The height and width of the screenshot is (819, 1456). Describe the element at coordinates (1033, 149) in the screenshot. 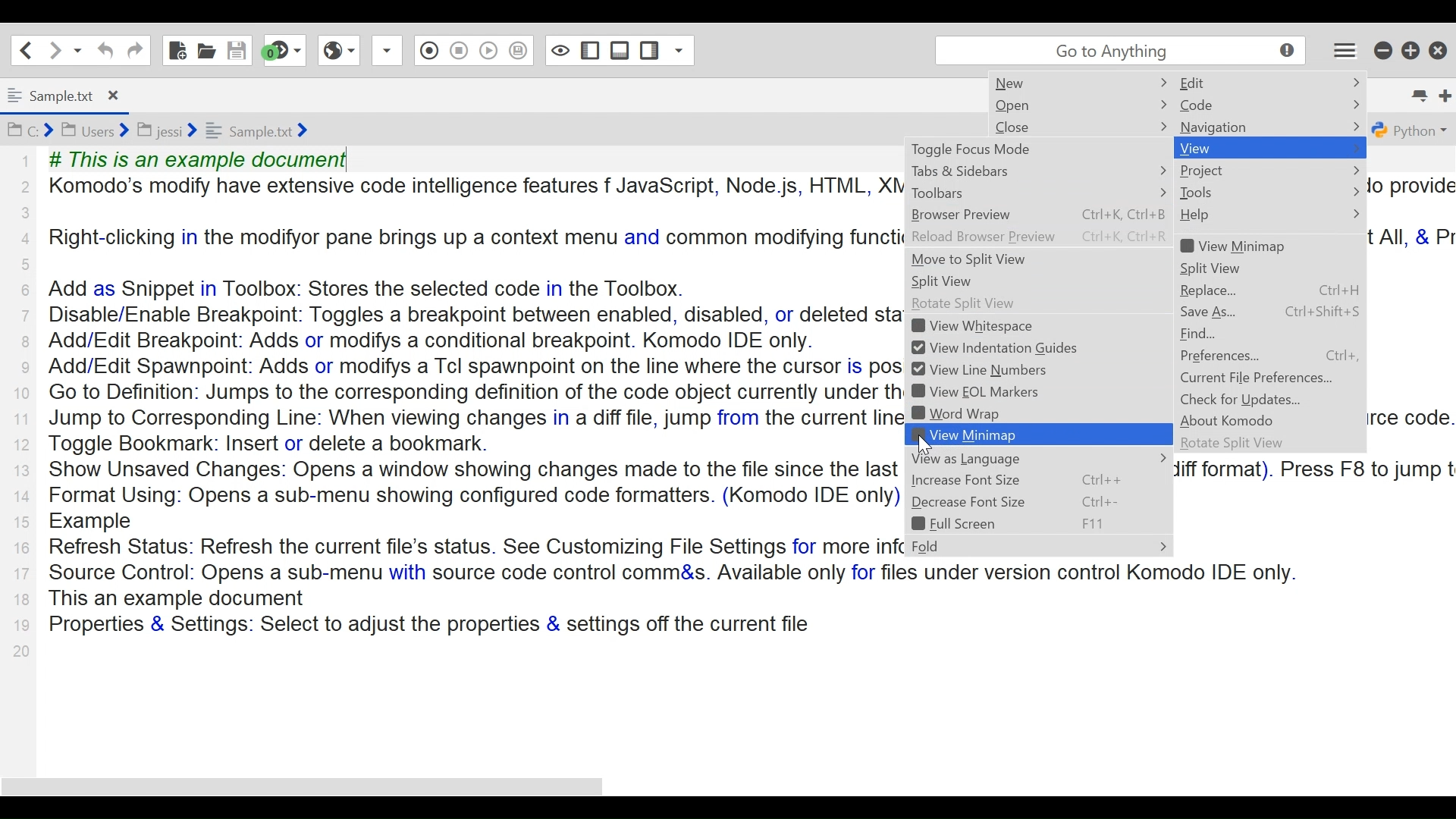

I see `Toggle Focus mode` at that location.